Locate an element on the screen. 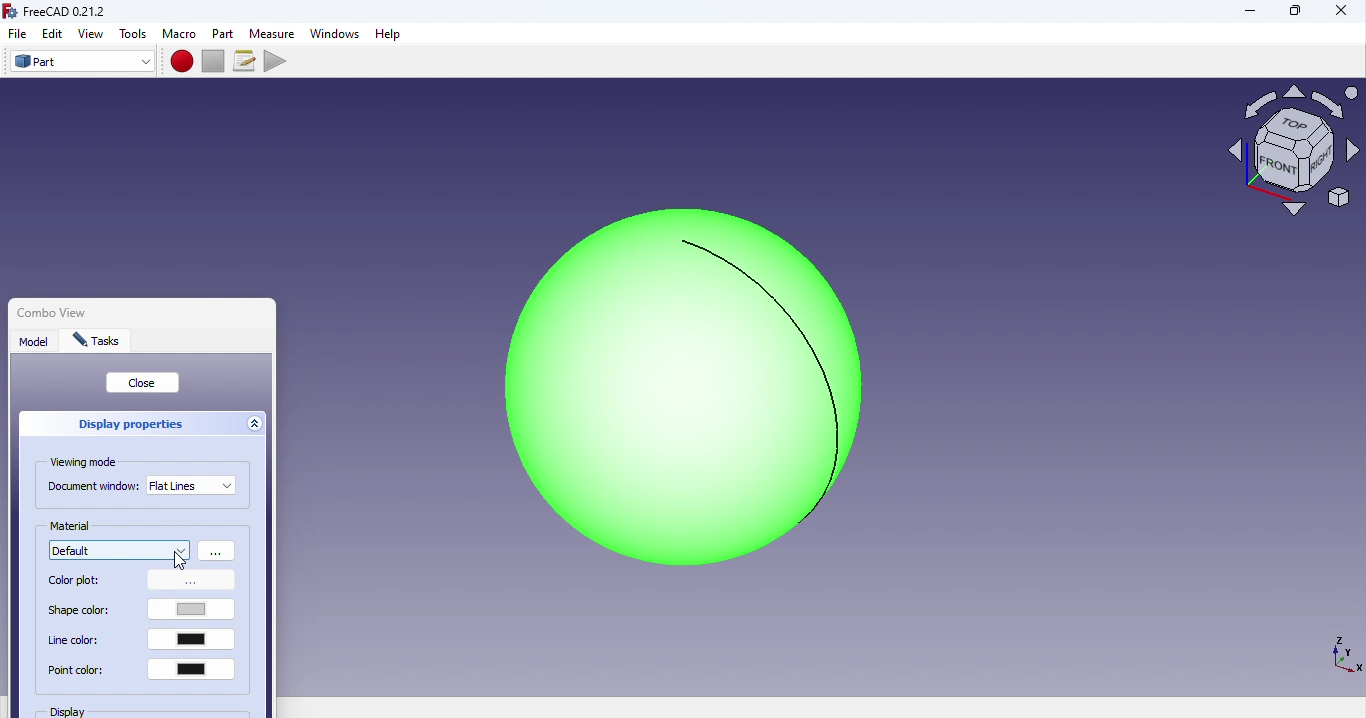  Dimensions is located at coordinates (1342, 653).